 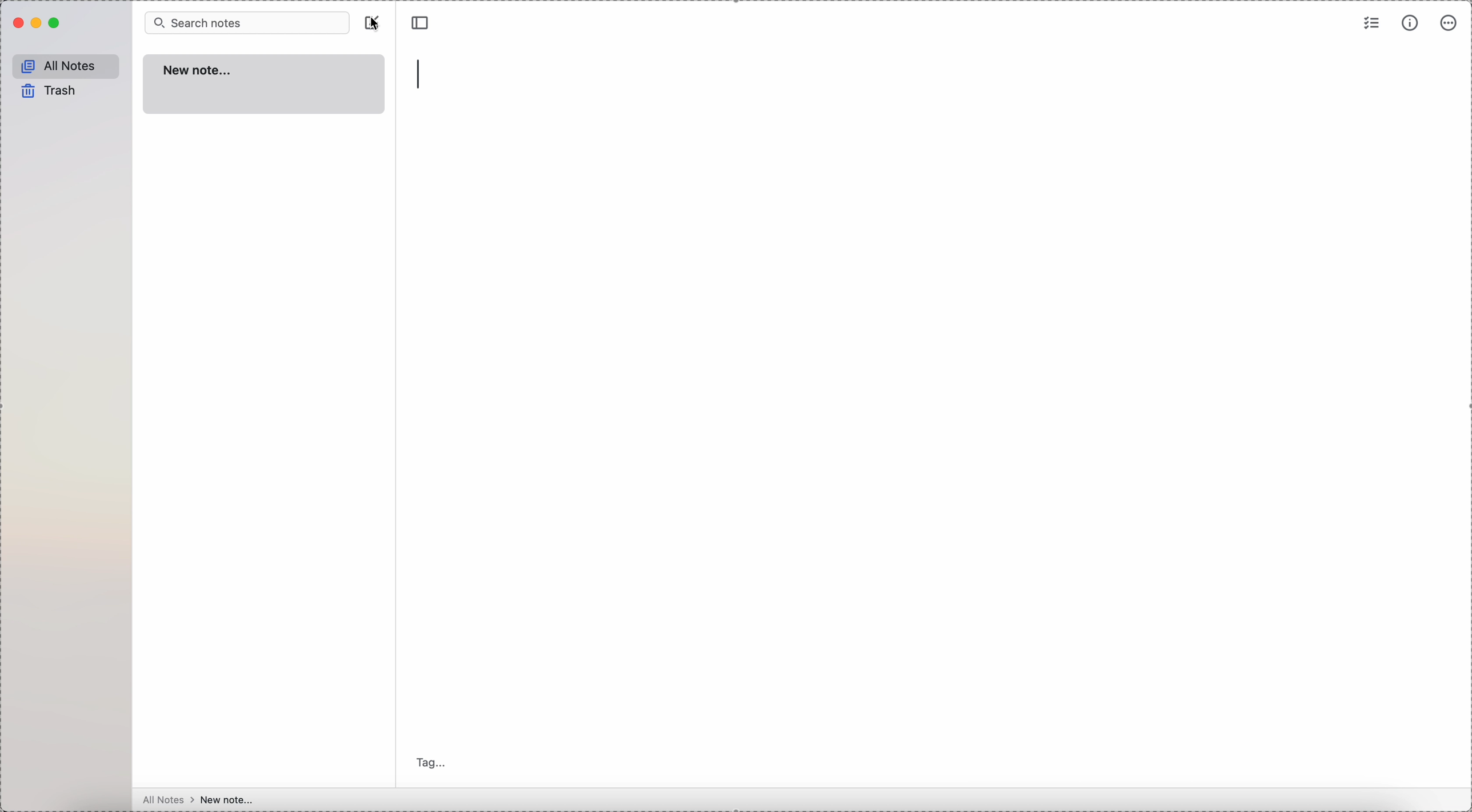 What do you see at coordinates (378, 23) in the screenshot?
I see `cursor` at bounding box center [378, 23].